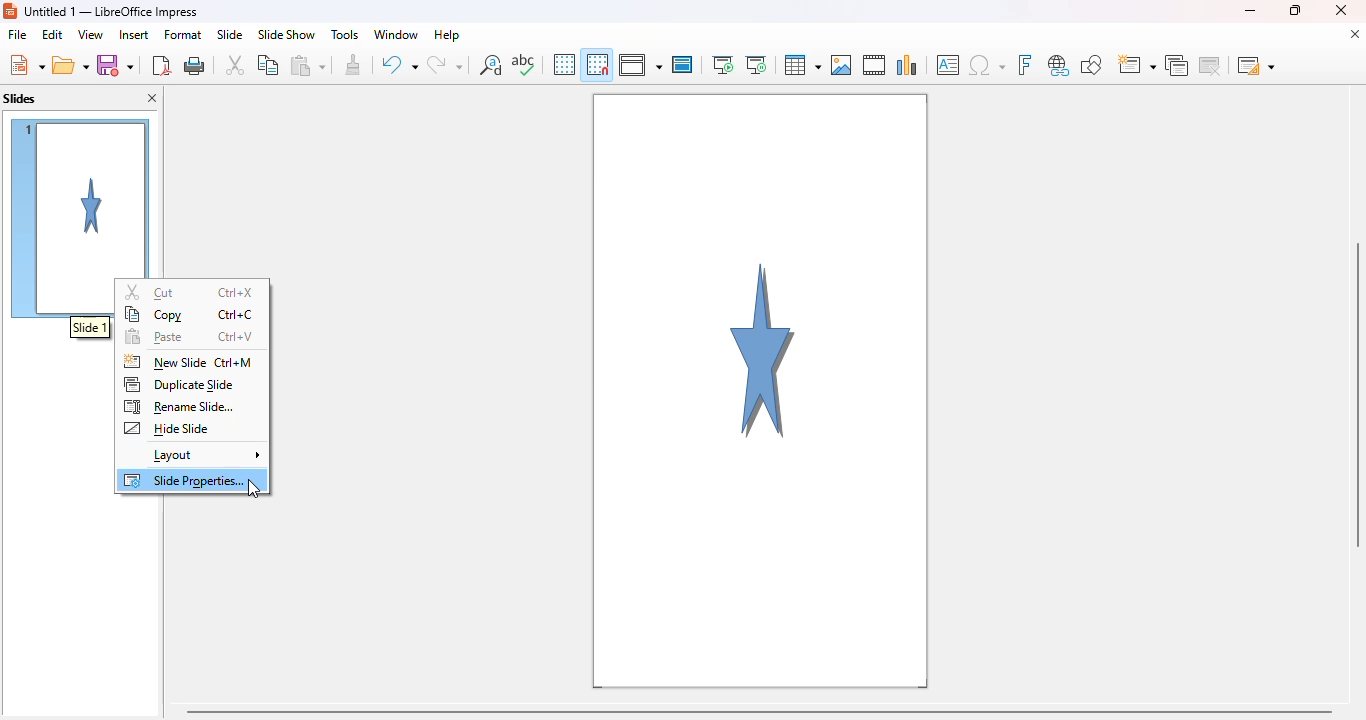 The width and height of the screenshot is (1366, 720). I want to click on insert text box, so click(948, 65).